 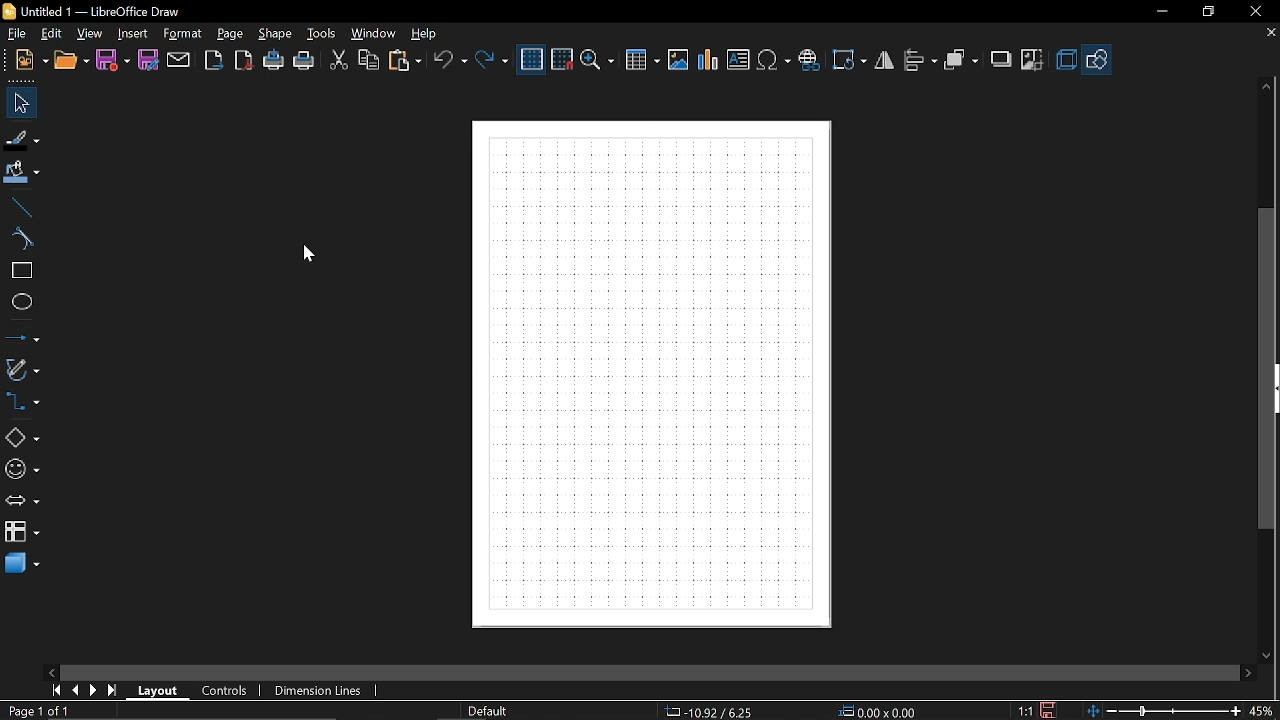 What do you see at coordinates (598, 62) in the screenshot?
I see `zoom` at bounding box center [598, 62].